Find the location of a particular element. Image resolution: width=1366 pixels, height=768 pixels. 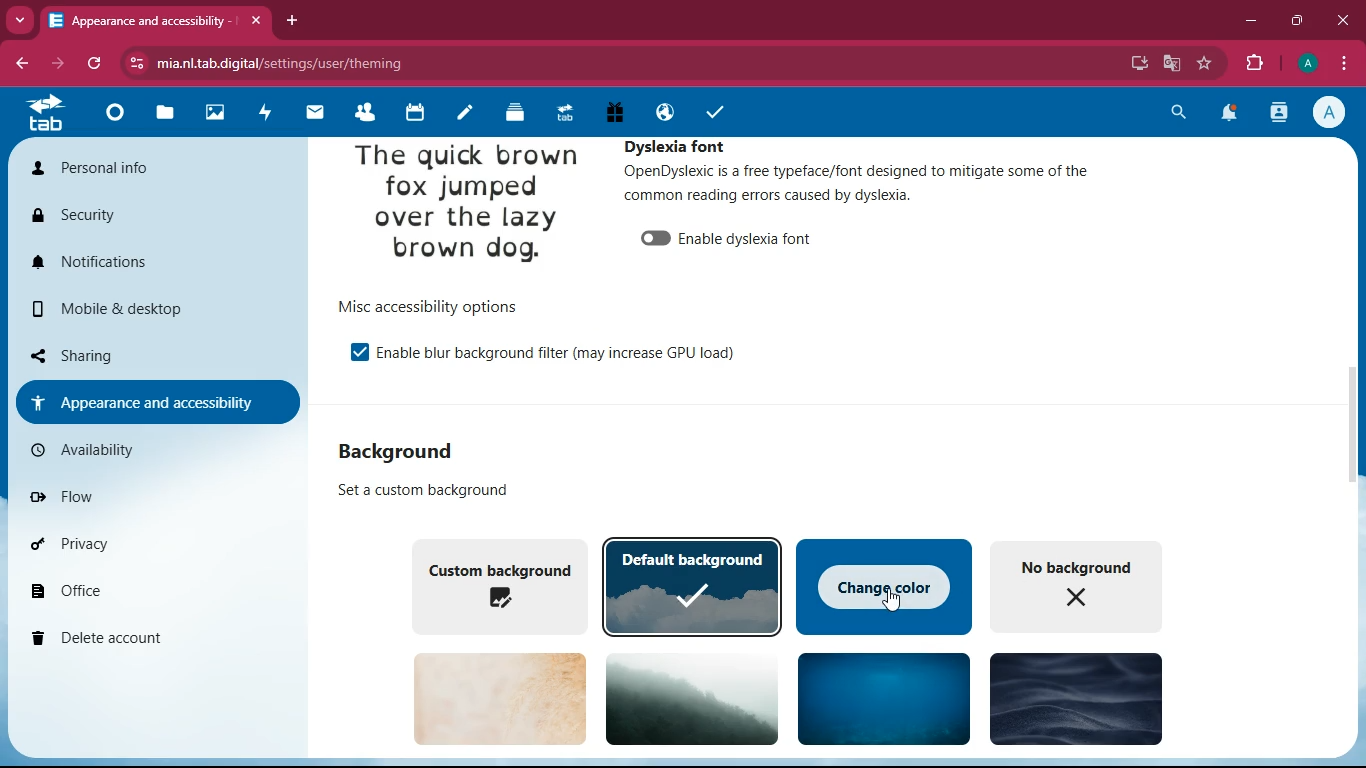

privacy is located at coordinates (137, 543).